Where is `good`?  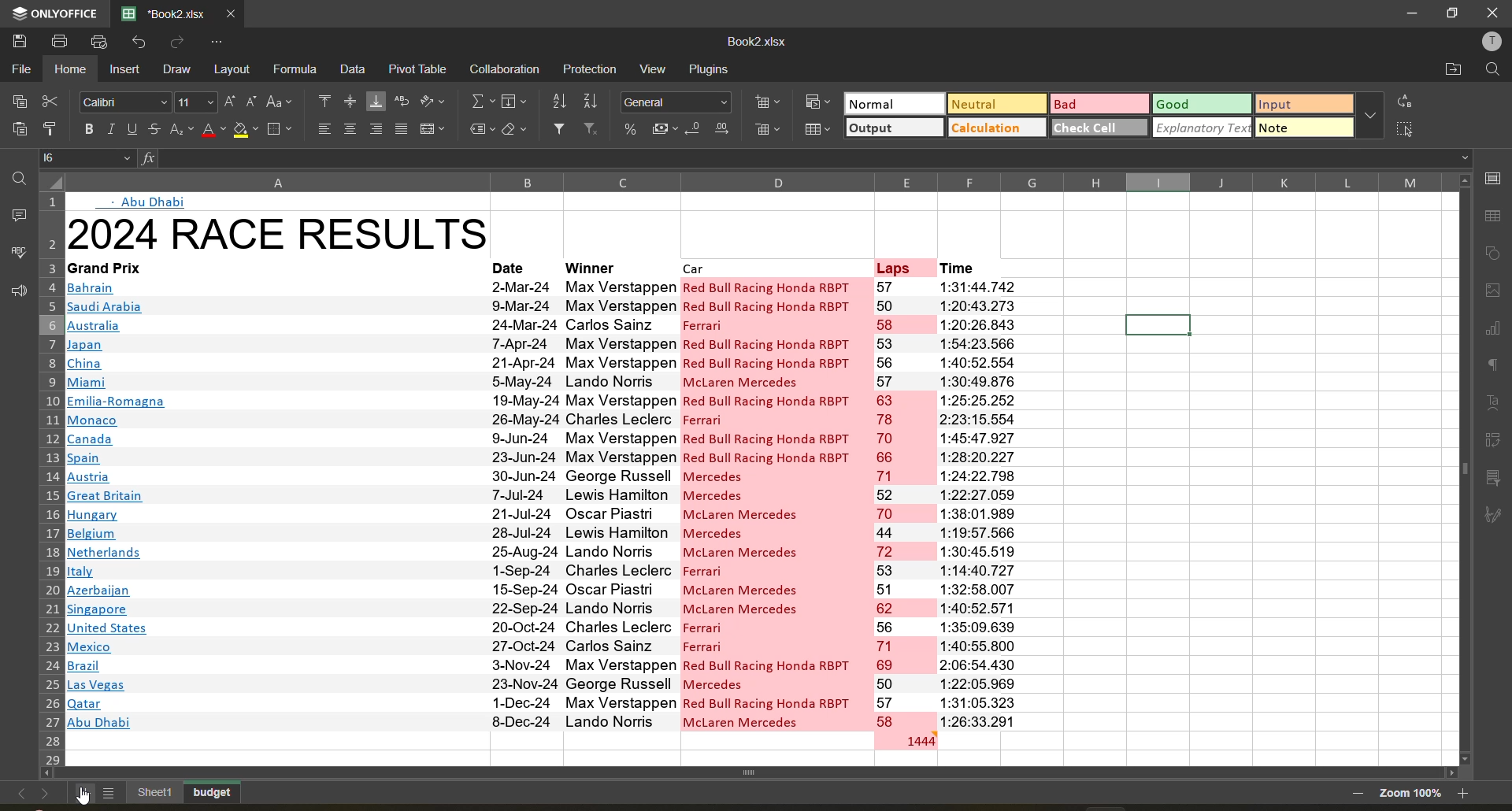
good is located at coordinates (1200, 104).